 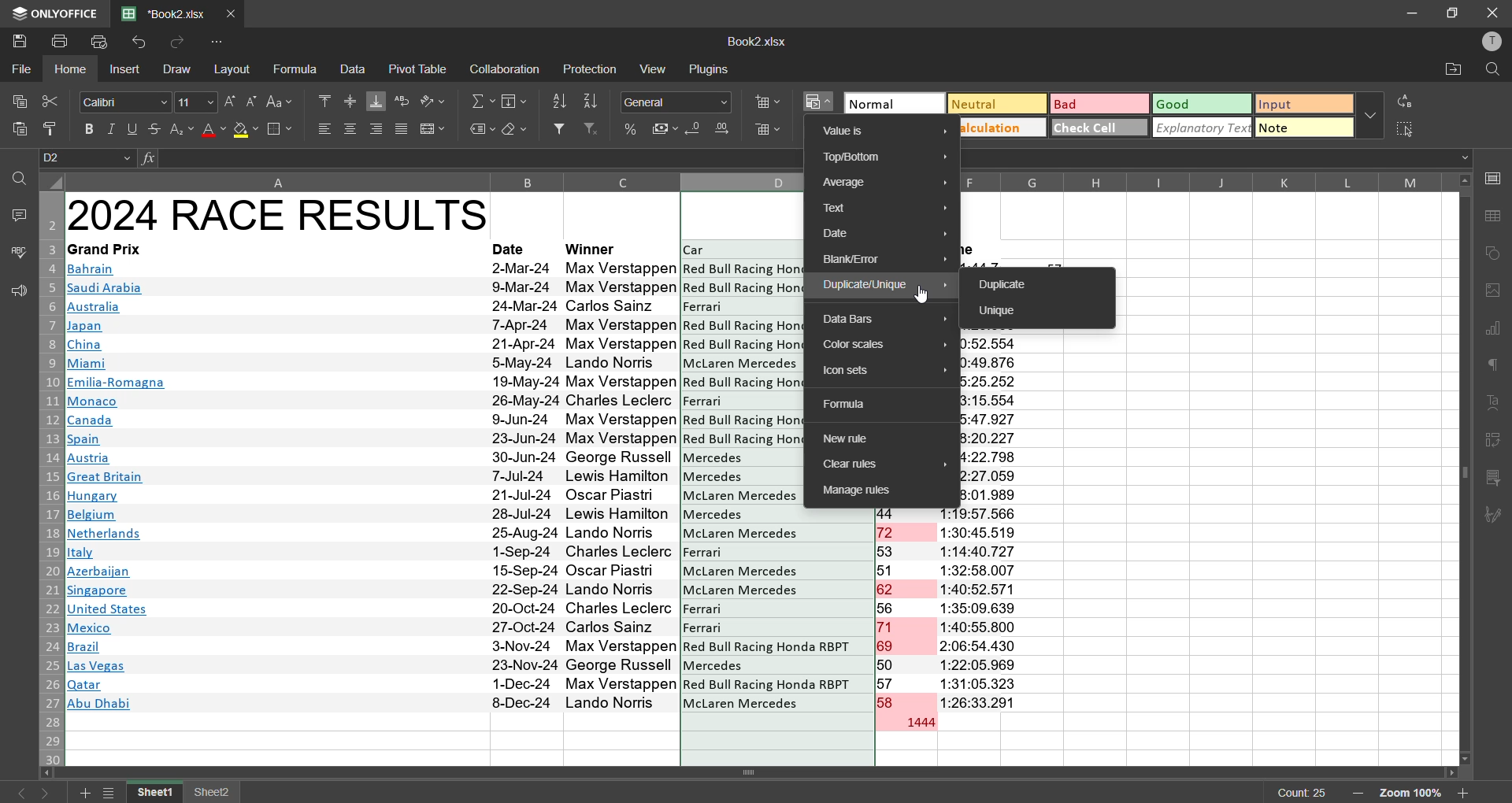 I want to click on merge and center, so click(x=432, y=130).